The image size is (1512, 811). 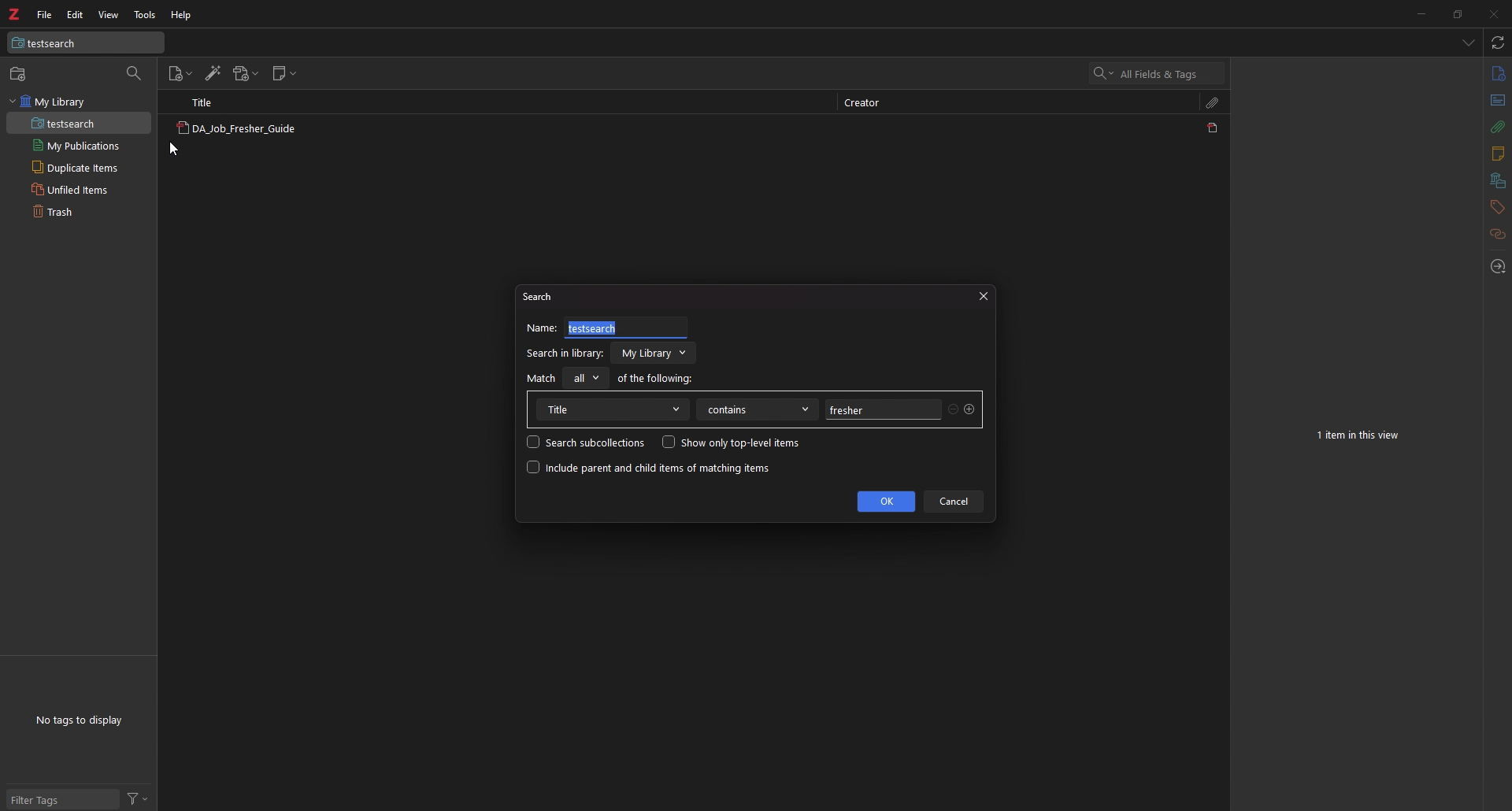 I want to click on all, so click(x=584, y=378).